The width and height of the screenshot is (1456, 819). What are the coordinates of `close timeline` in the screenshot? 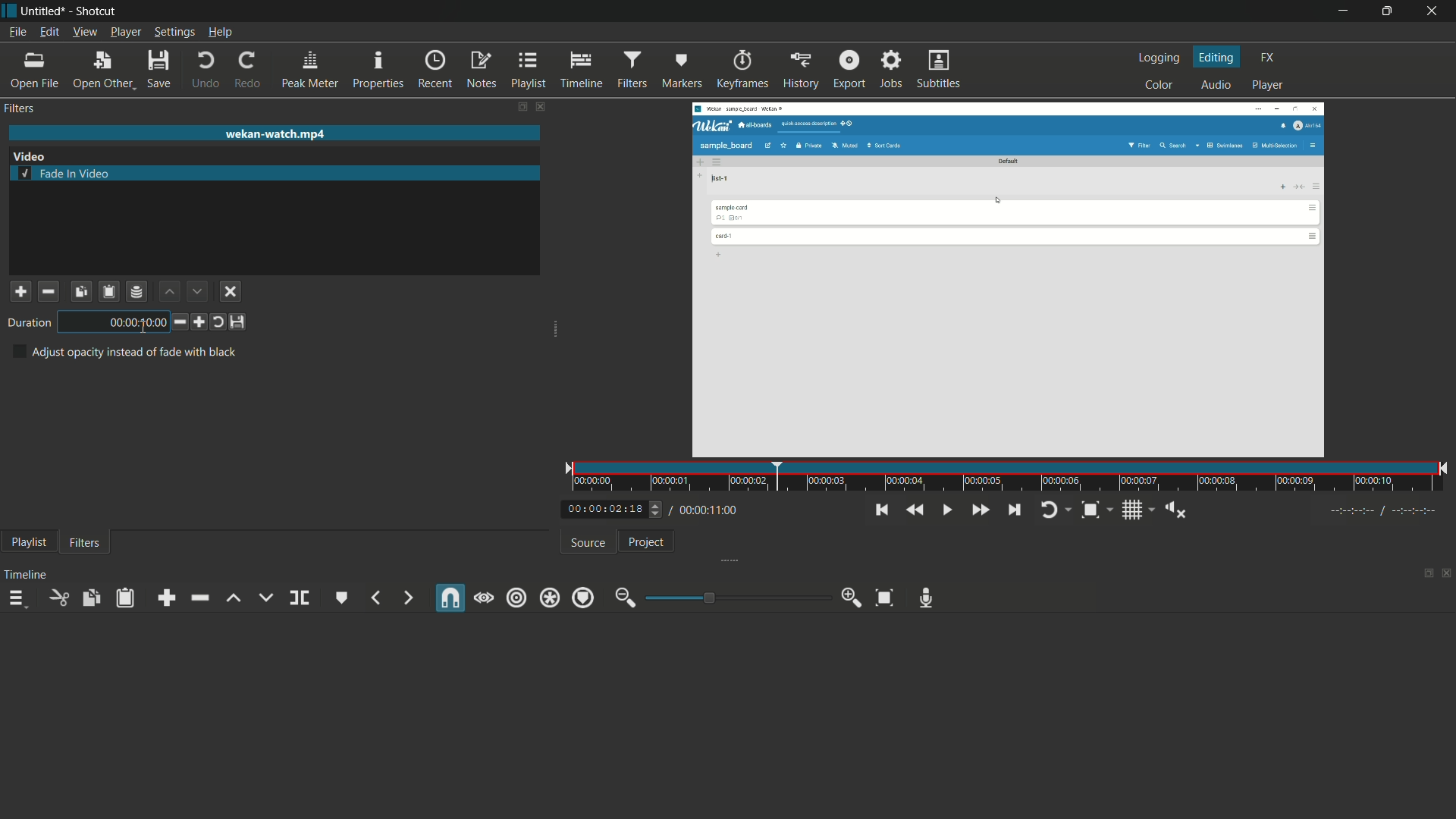 It's located at (1447, 571).